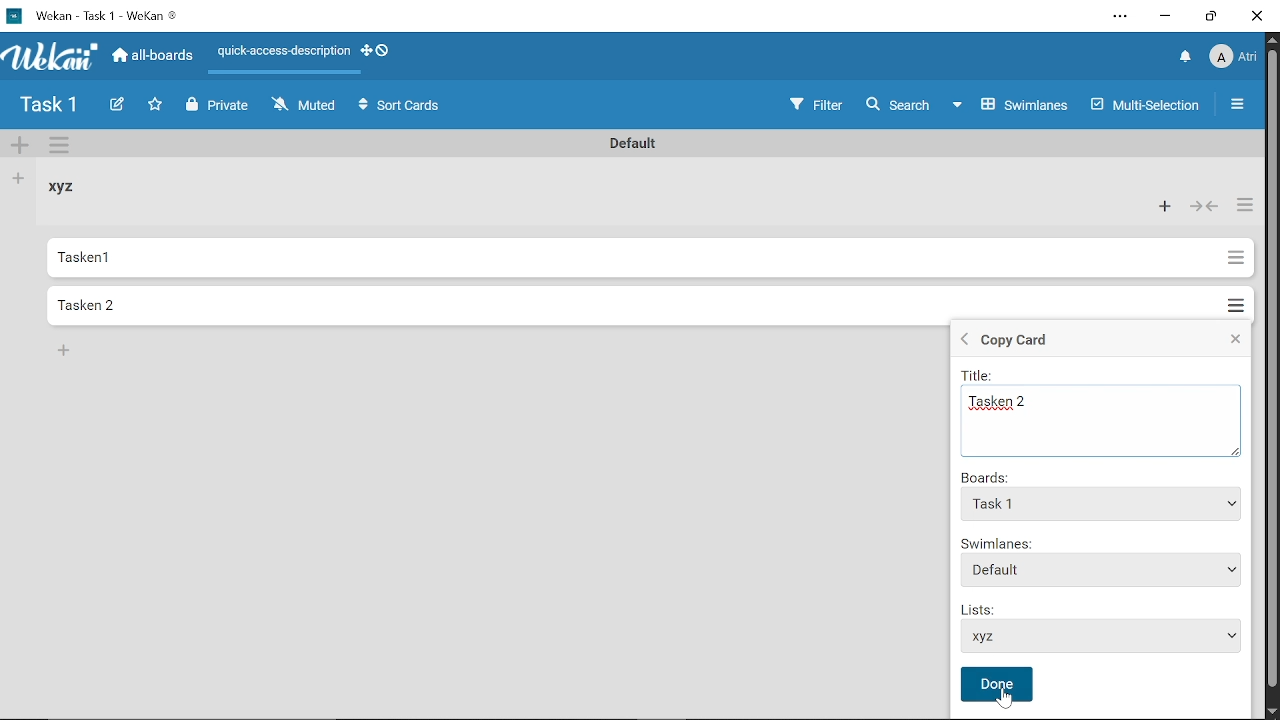  What do you see at coordinates (636, 142) in the screenshot?
I see `Rename` at bounding box center [636, 142].